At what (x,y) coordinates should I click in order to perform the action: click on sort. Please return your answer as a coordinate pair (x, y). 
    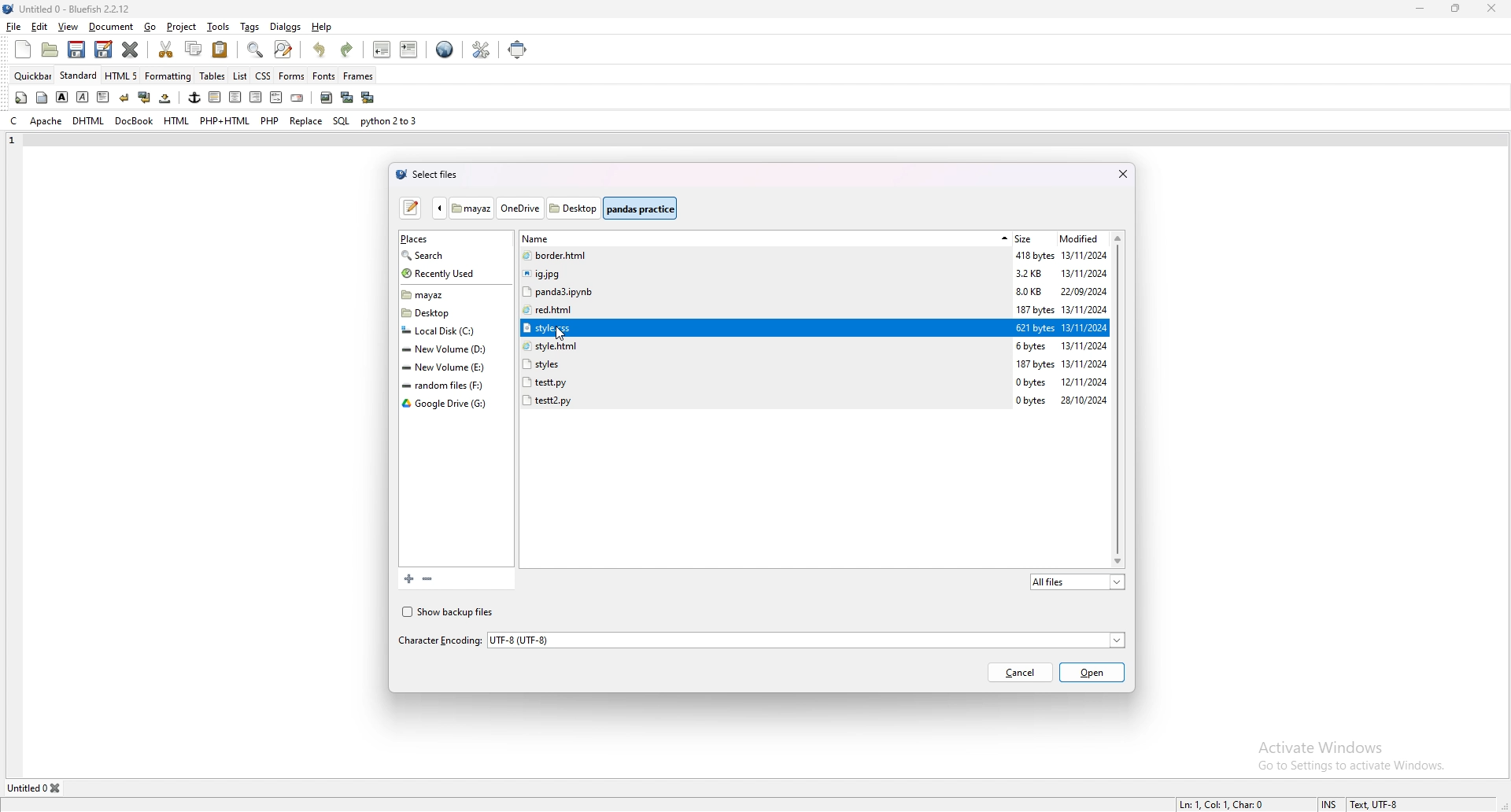
    Looking at the image, I should click on (1001, 238).